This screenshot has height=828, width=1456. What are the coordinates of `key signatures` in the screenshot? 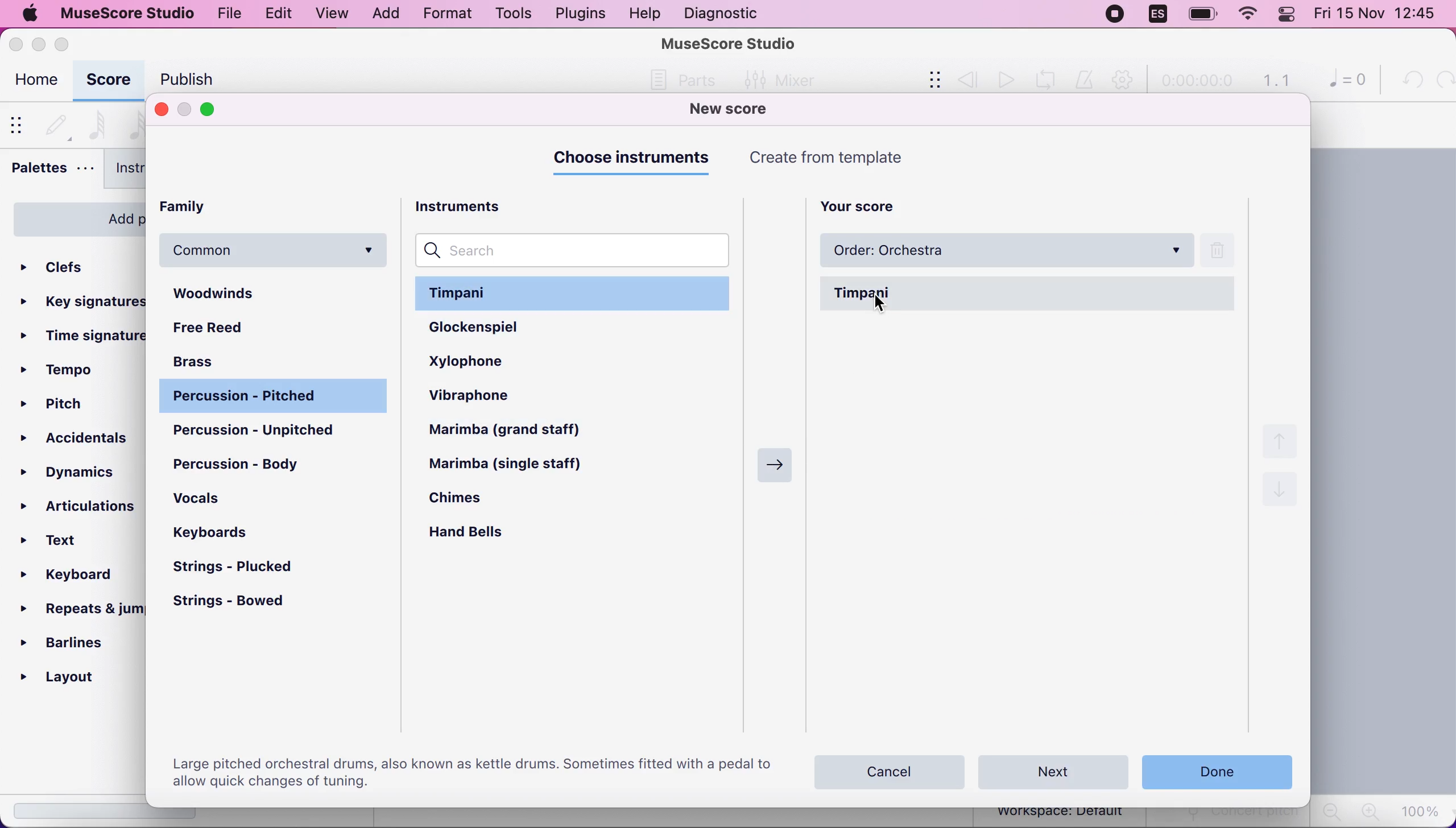 It's located at (84, 299).